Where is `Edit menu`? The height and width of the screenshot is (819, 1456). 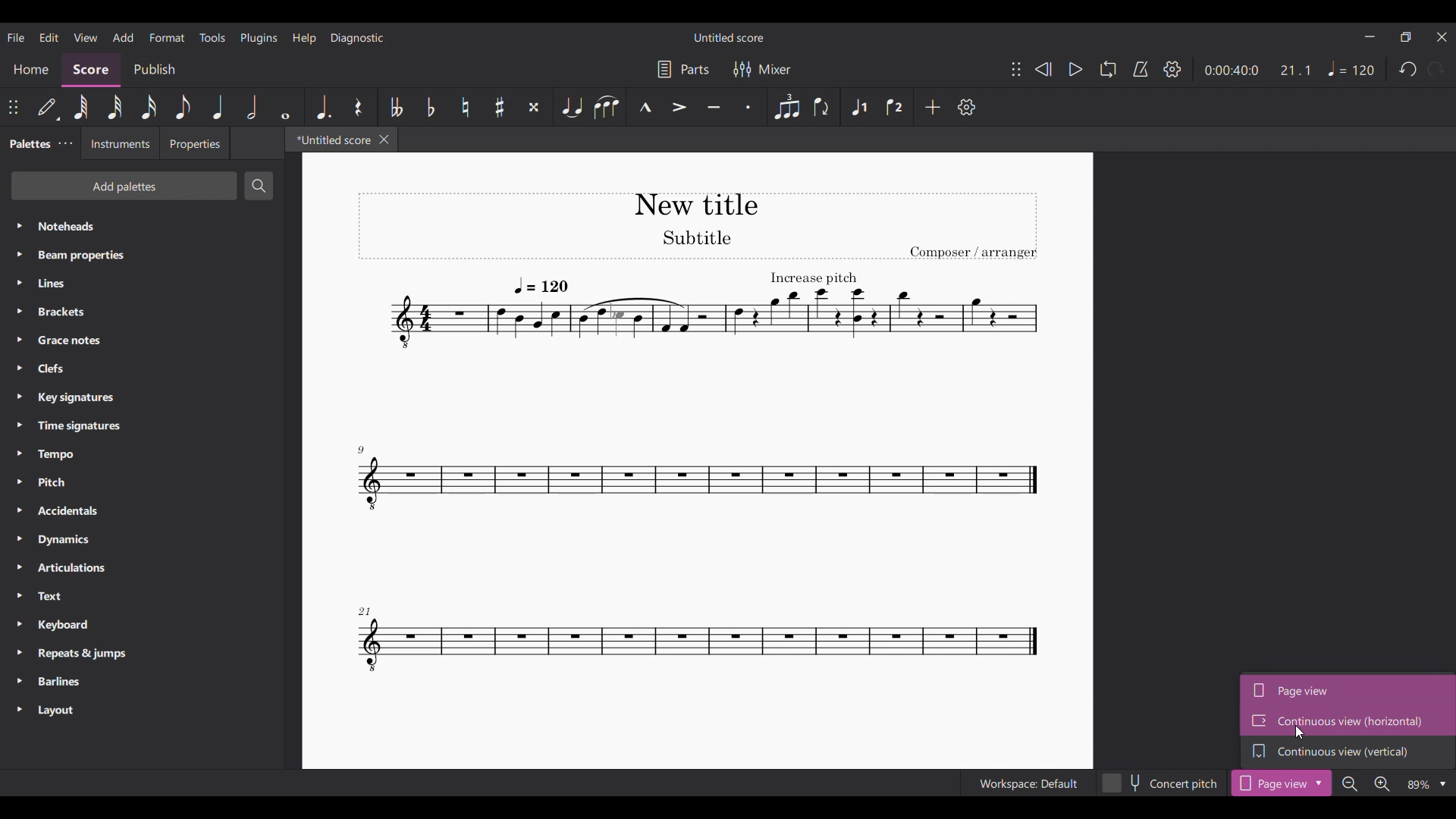
Edit menu is located at coordinates (49, 36).